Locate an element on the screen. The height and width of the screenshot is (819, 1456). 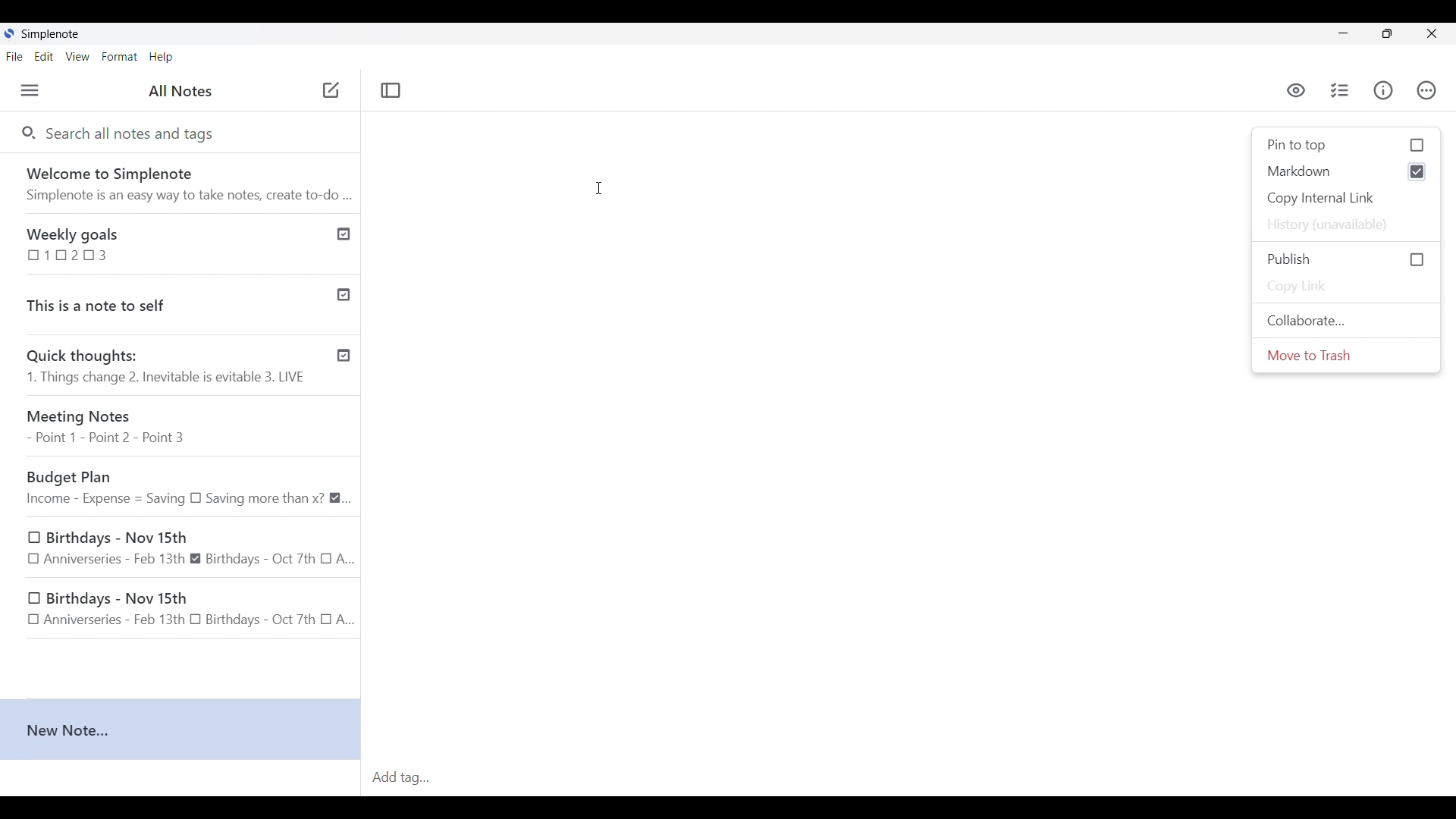
File menu is located at coordinates (14, 56).